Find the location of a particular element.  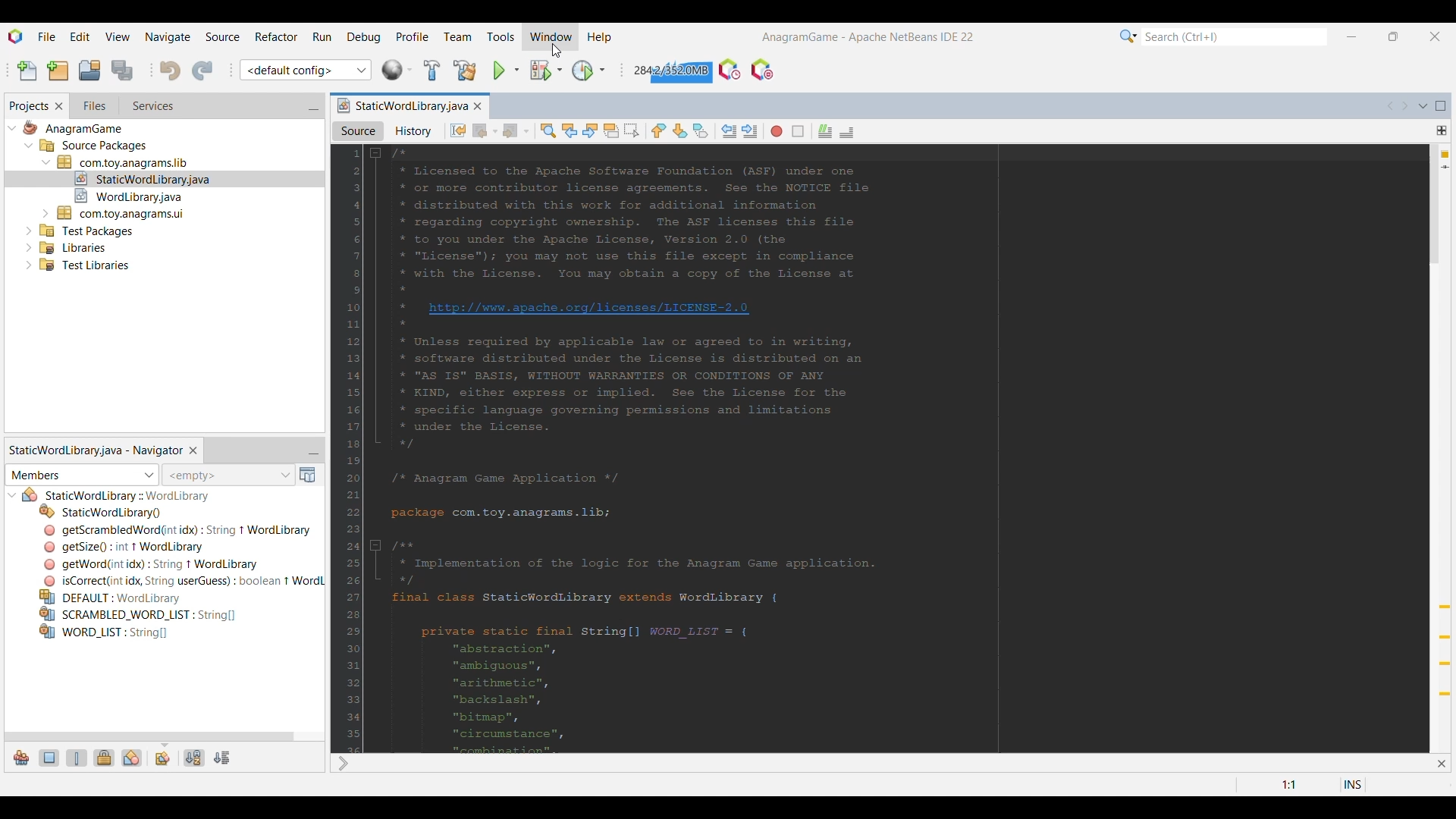

 is located at coordinates (104, 634).